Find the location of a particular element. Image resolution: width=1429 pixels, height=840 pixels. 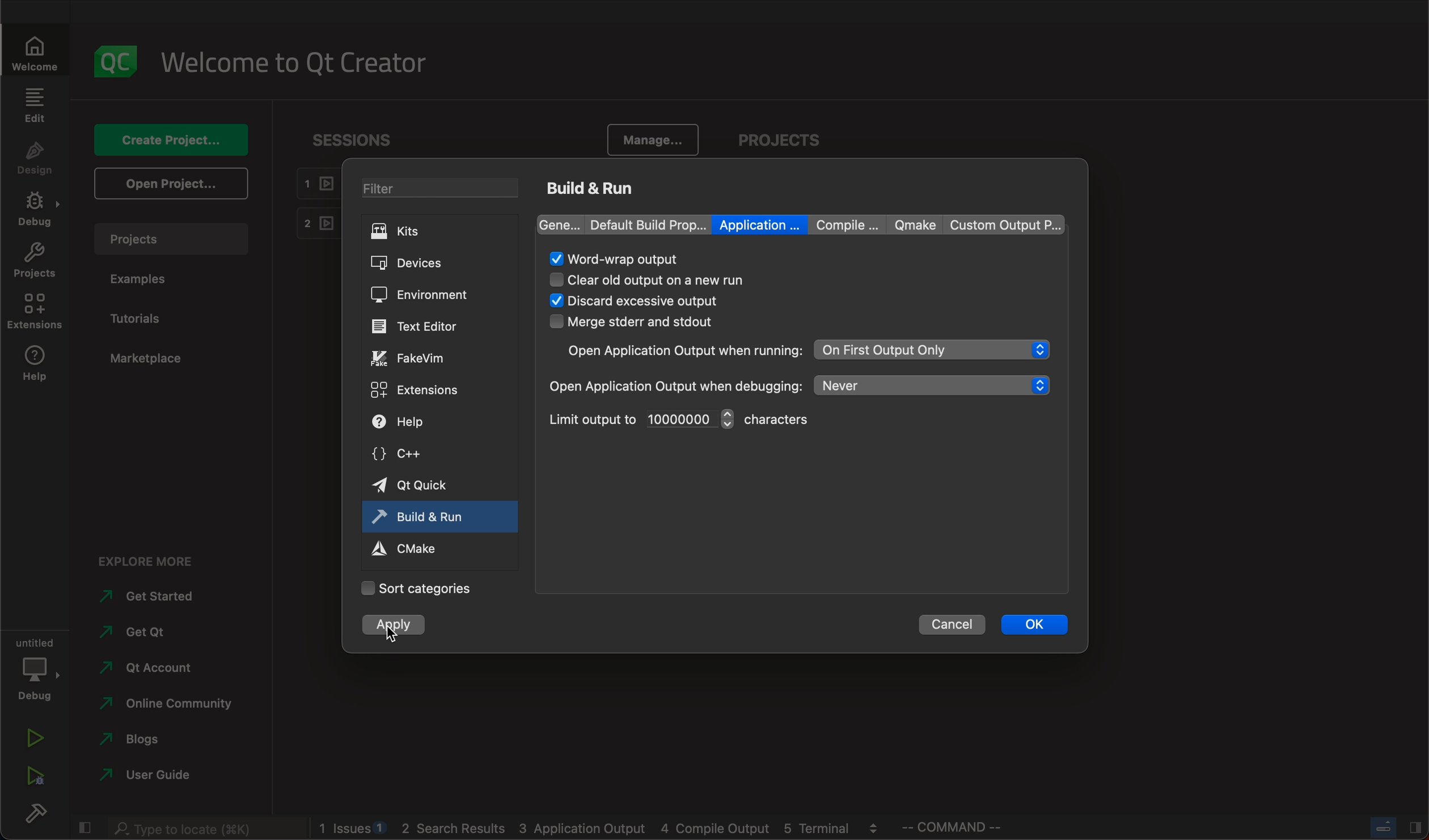

design is located at coordinates (36, 156).